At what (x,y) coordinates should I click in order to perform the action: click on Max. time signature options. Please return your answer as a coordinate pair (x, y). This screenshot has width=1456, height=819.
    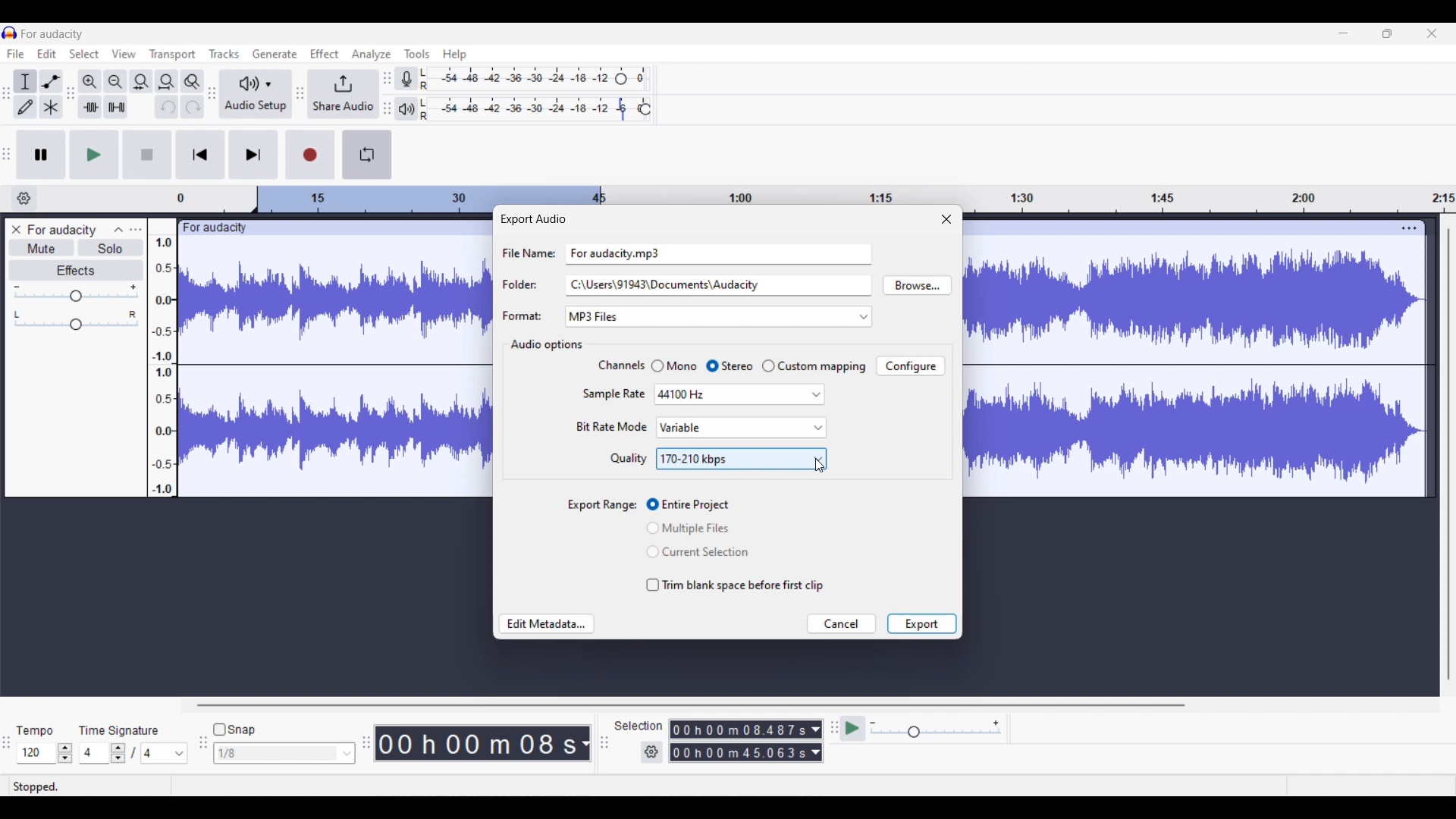
    Looking at the image, I should click on (165, 753).